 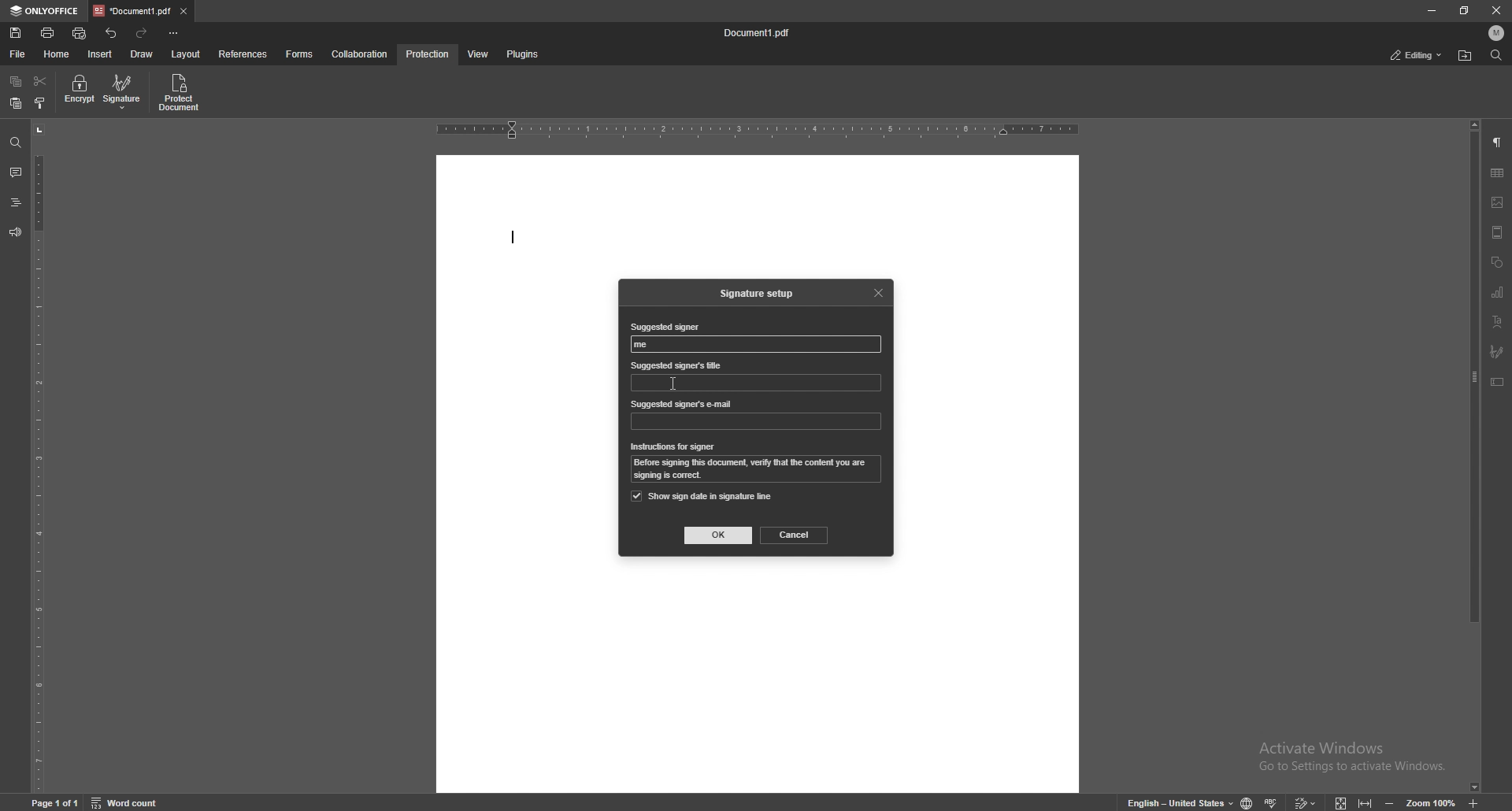 I want to click on protection, so click(x=428, y=54).